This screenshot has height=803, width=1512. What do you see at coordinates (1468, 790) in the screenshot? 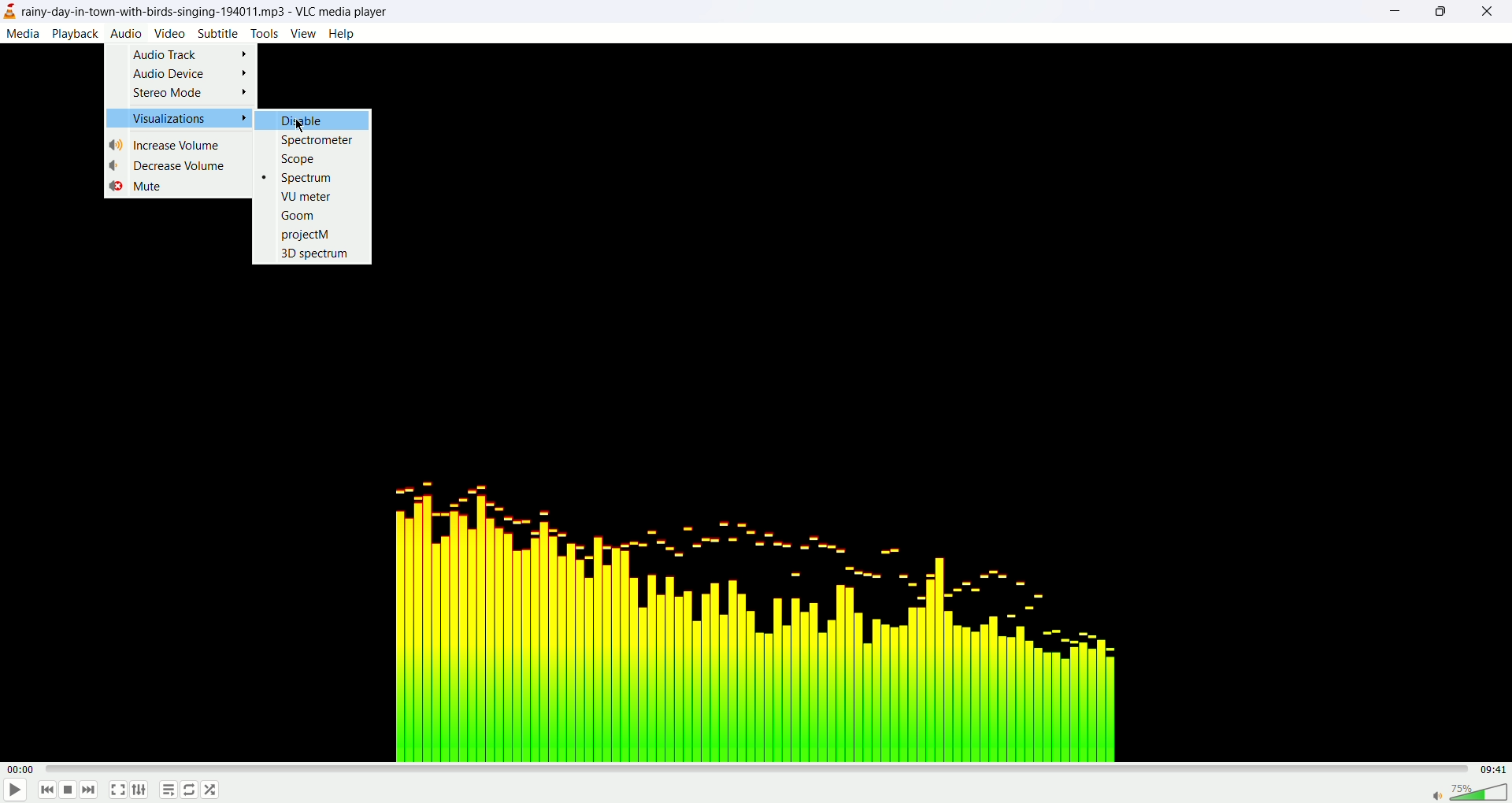
I see `volume bar` at bounding box center [1468, 790].